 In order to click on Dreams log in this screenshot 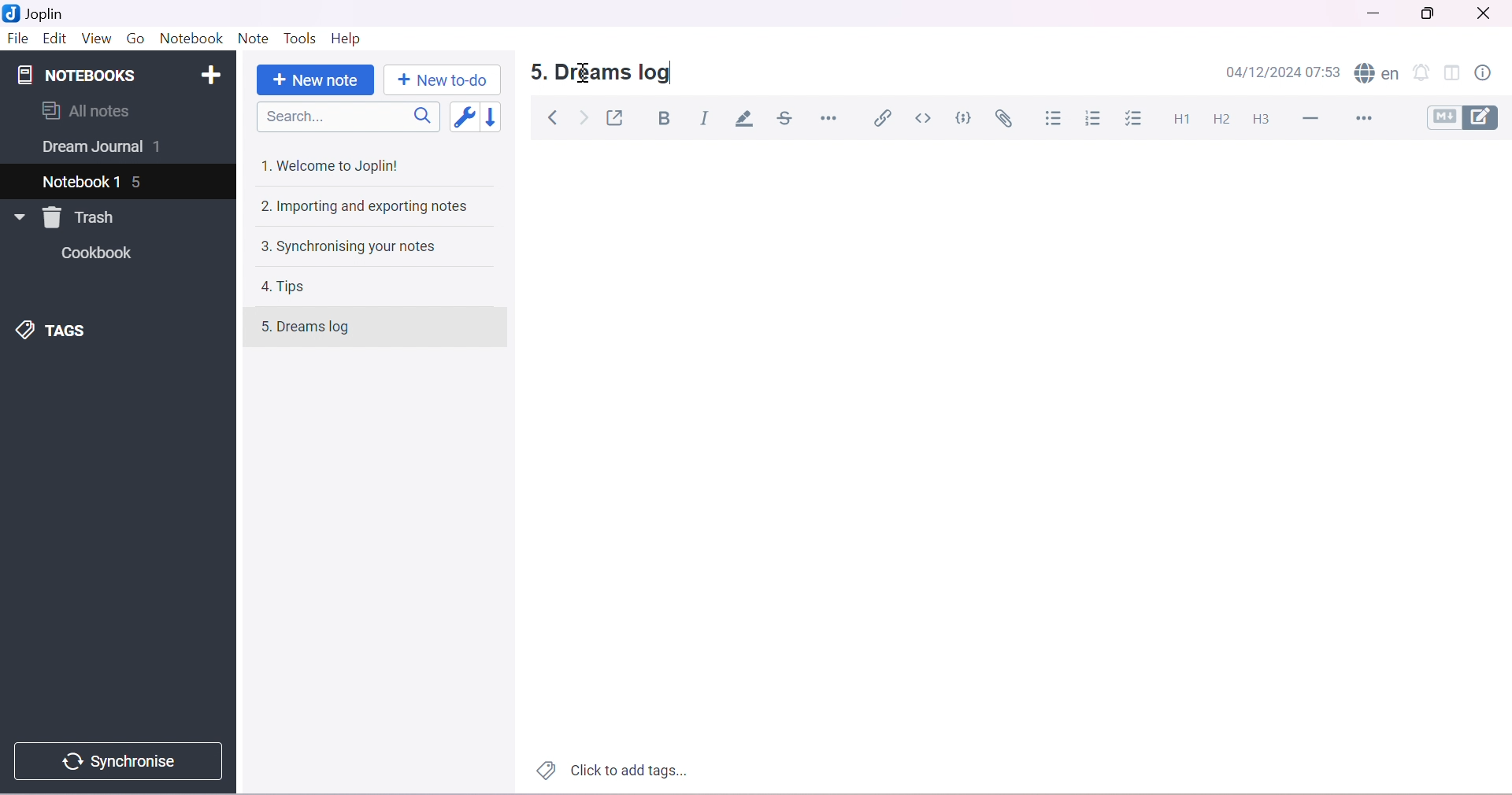, I will do `click(616, 73)`.